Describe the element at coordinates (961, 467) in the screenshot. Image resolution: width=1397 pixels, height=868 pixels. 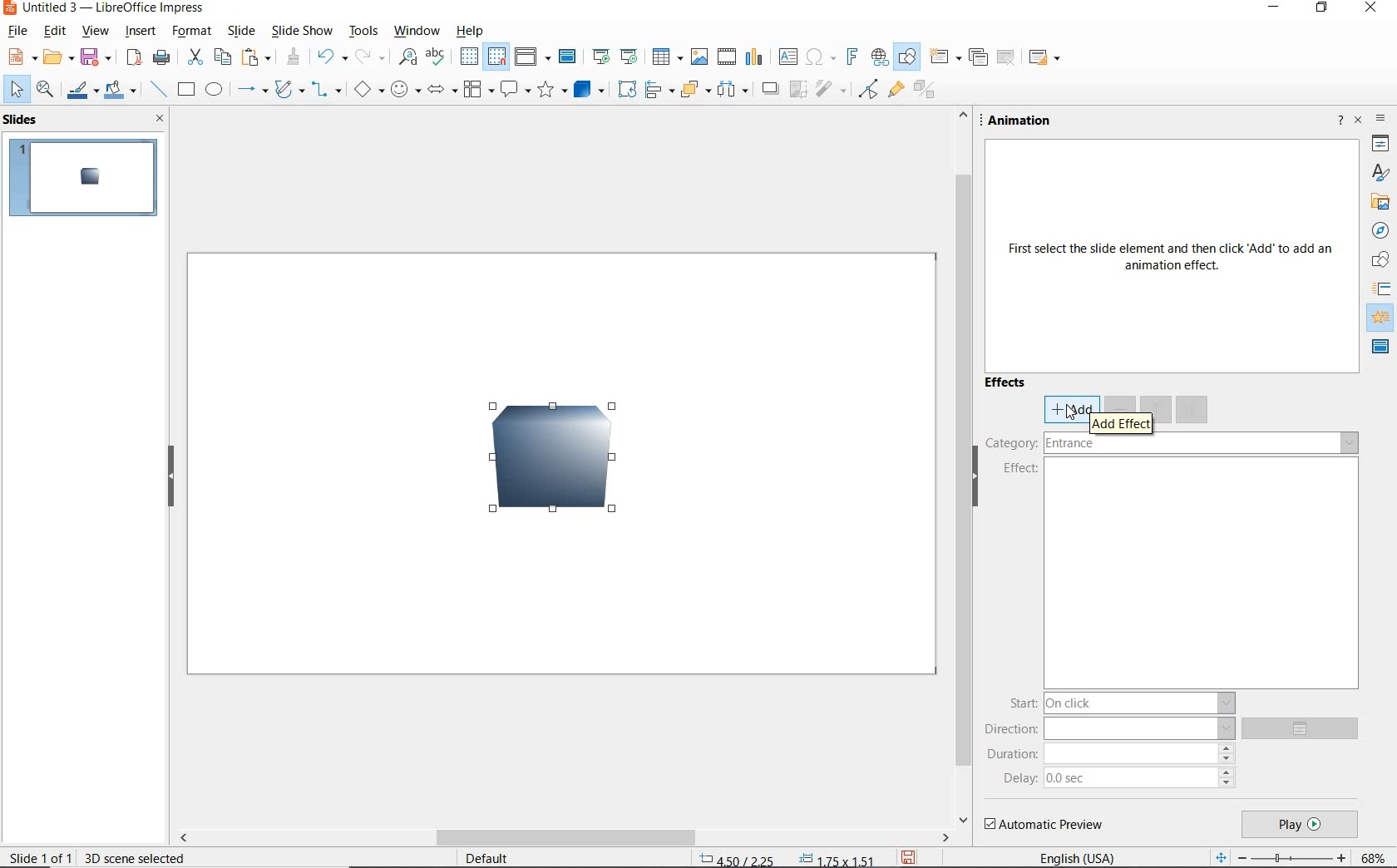
I see `SCROLLBAR` at that location.